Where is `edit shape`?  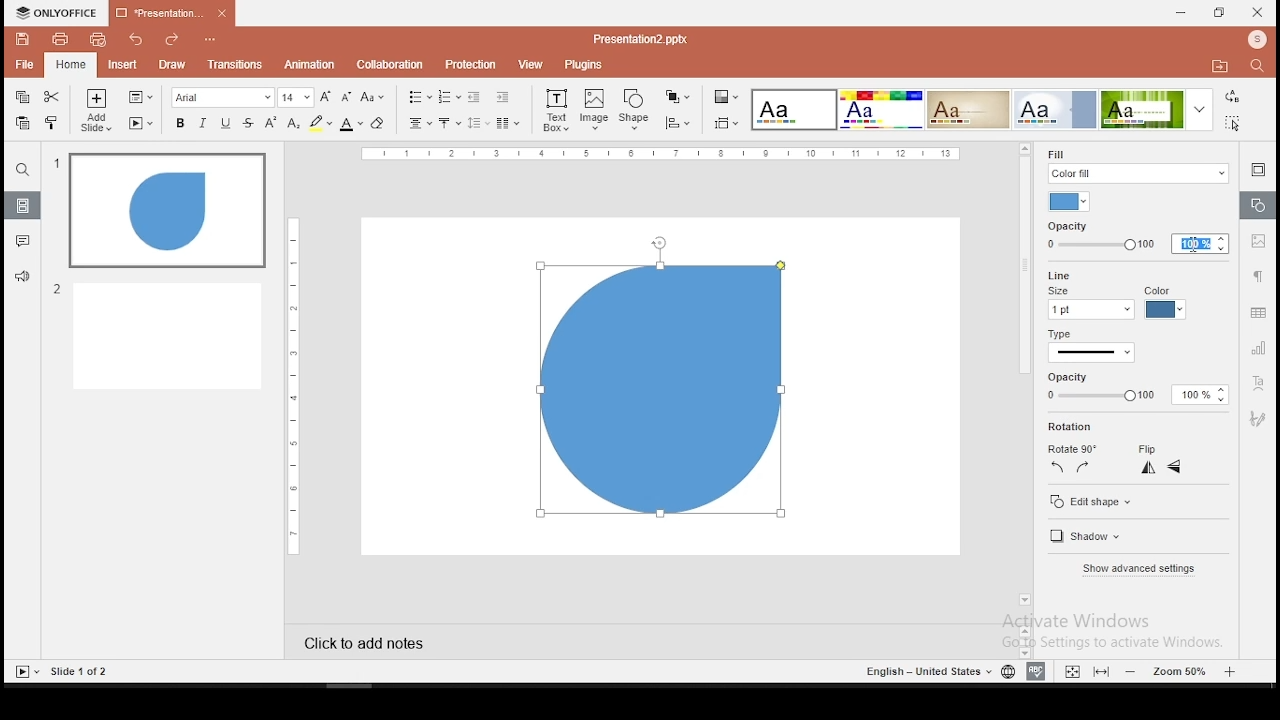
edit shape is located at coordinates (1092, 503).